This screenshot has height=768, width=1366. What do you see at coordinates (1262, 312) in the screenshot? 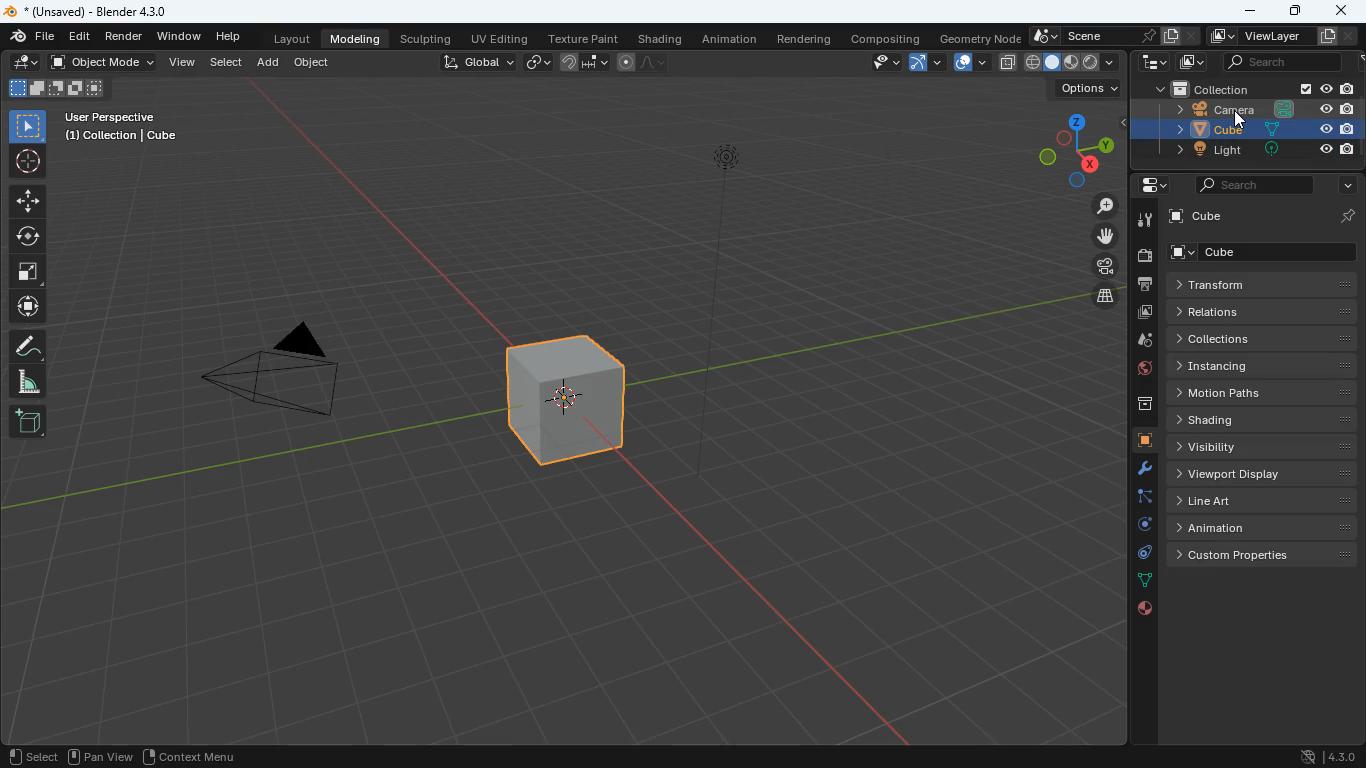
I see `relations` at bounding box center [1262, 312].